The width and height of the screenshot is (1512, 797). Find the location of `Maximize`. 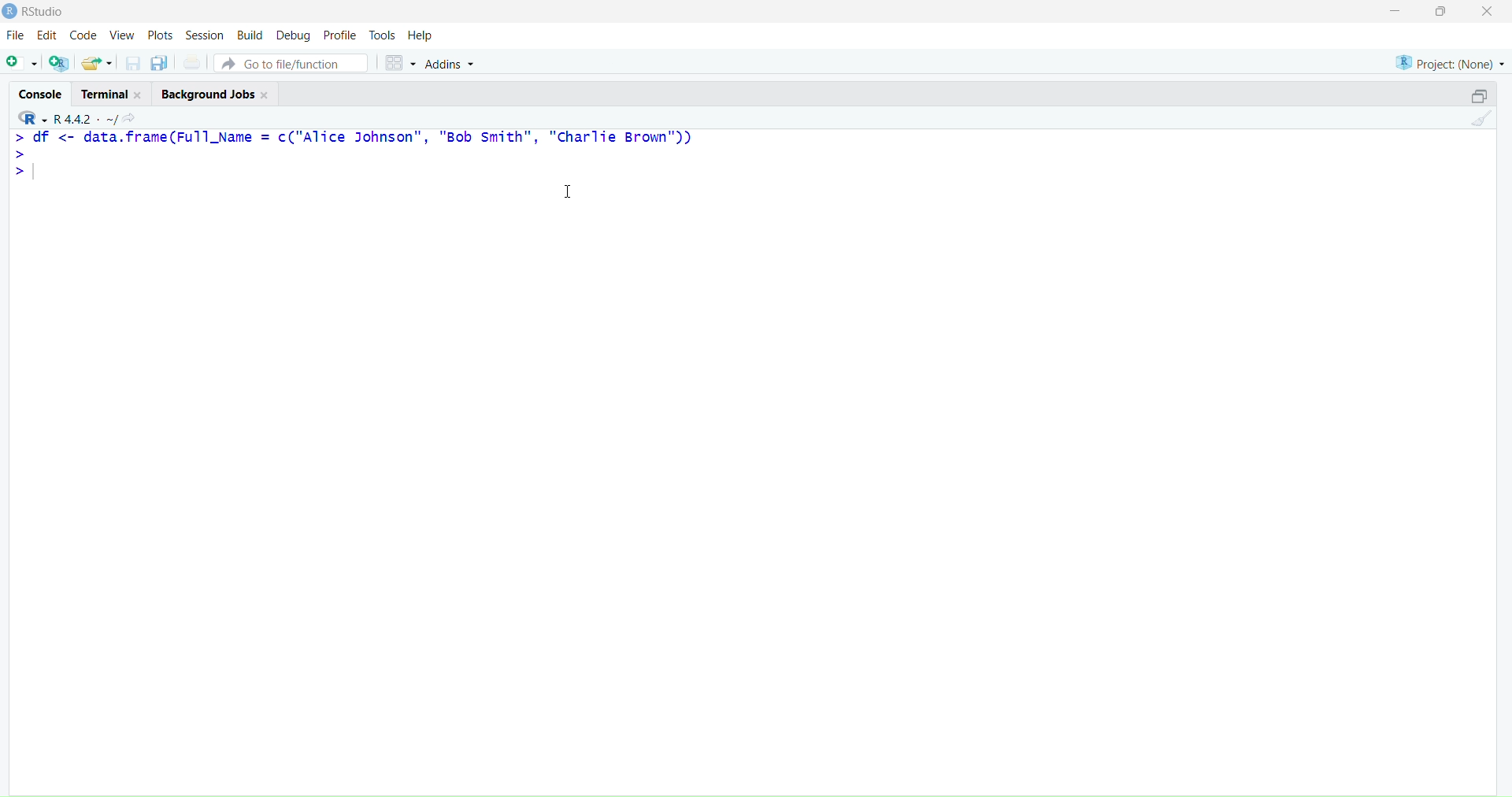

Maximize is located at coordinates (1478, 93).